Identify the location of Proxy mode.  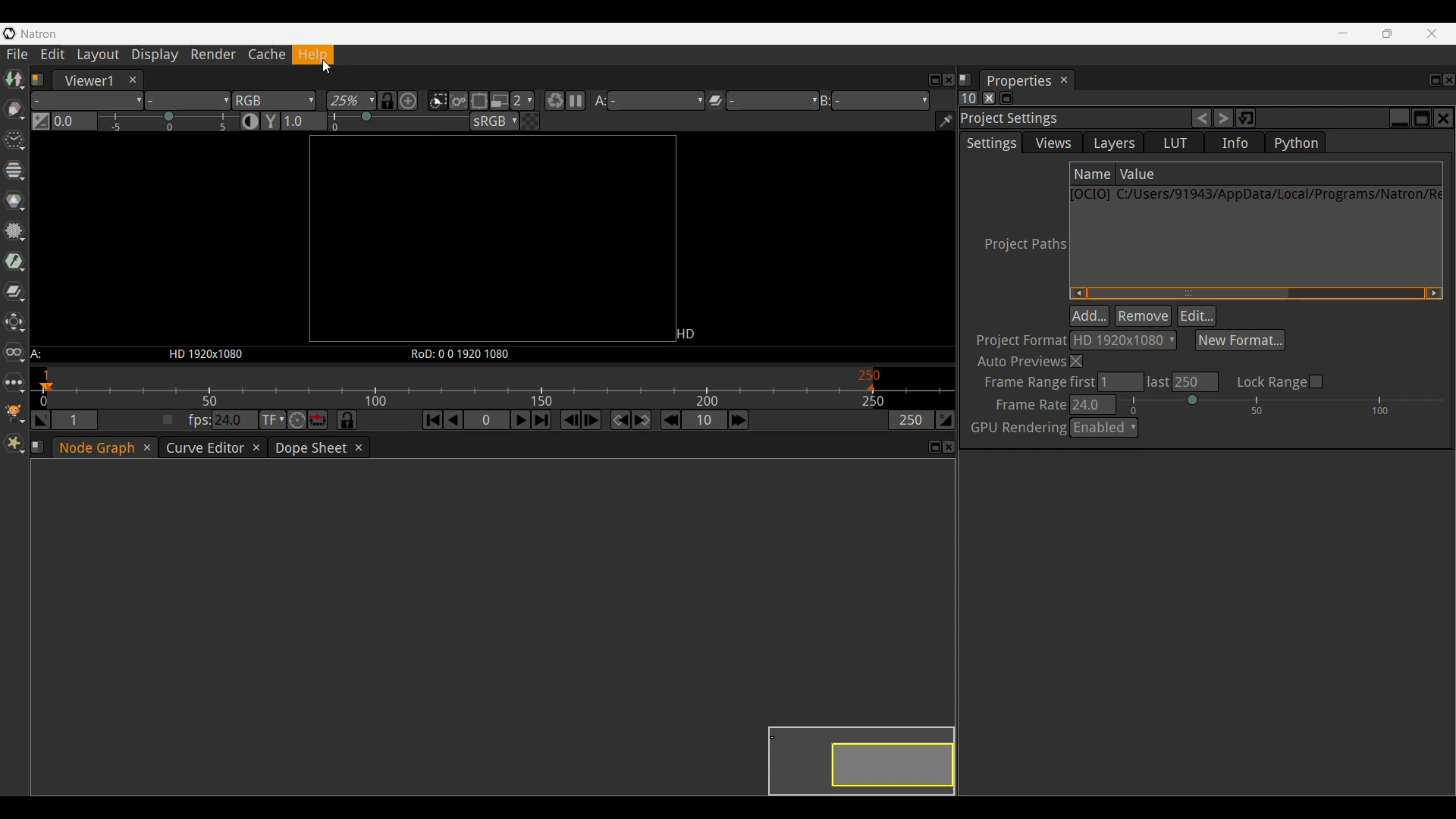
(500, 101).